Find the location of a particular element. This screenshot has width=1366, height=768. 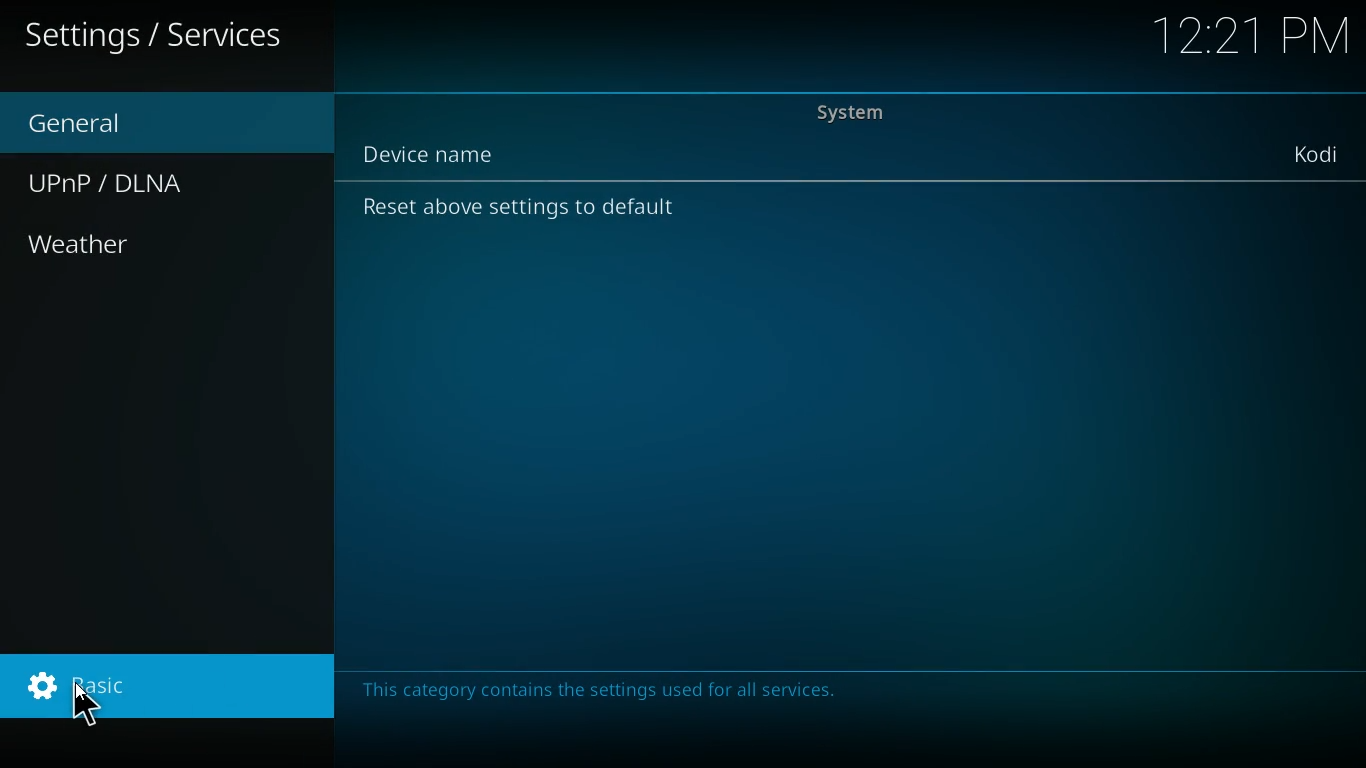

time is located at coordinates (1249, 39).